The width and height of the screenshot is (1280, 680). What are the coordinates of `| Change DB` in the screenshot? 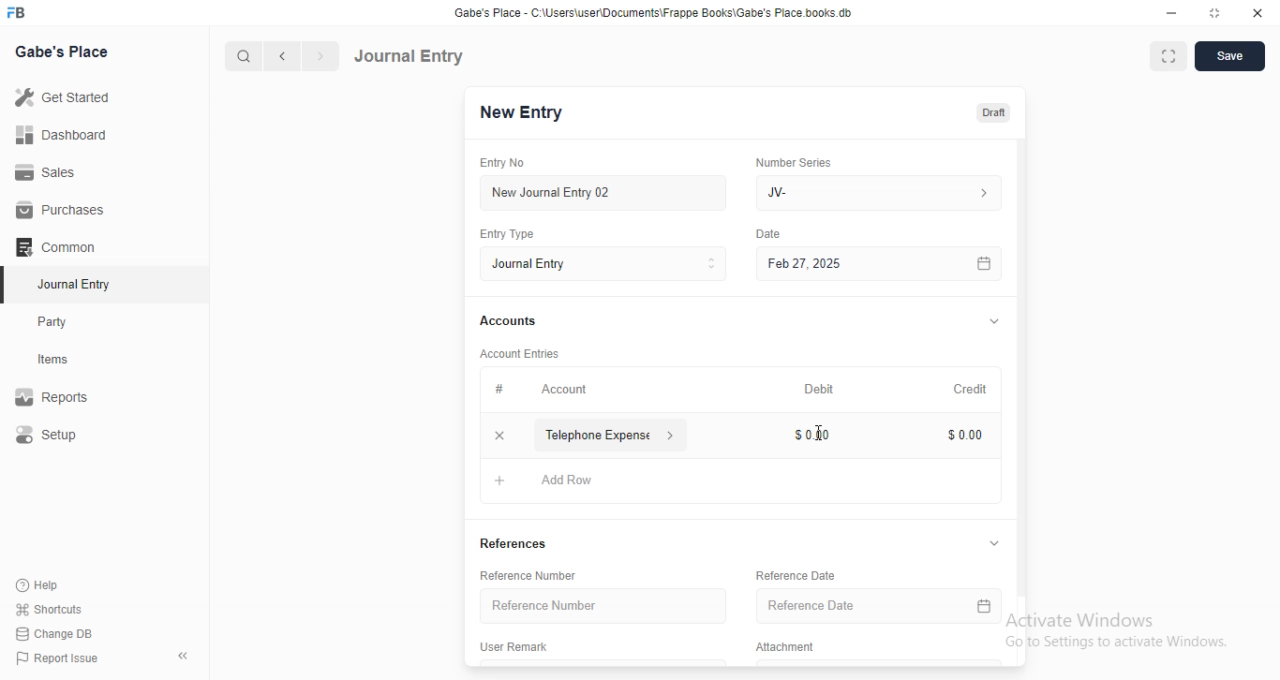 It's located at (55, 632).